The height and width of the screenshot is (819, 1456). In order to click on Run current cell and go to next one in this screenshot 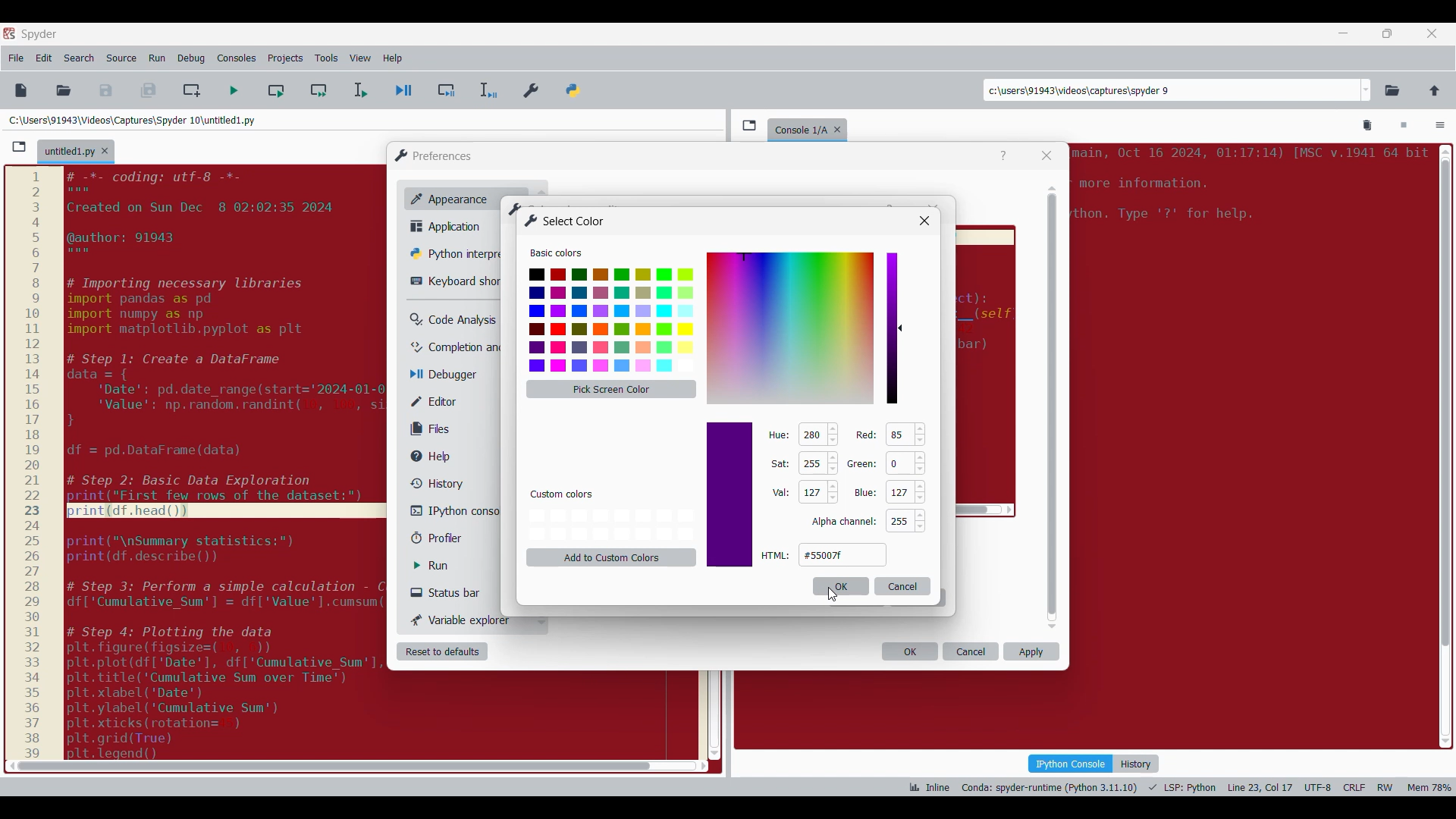, I will do `click(318, 90)`.